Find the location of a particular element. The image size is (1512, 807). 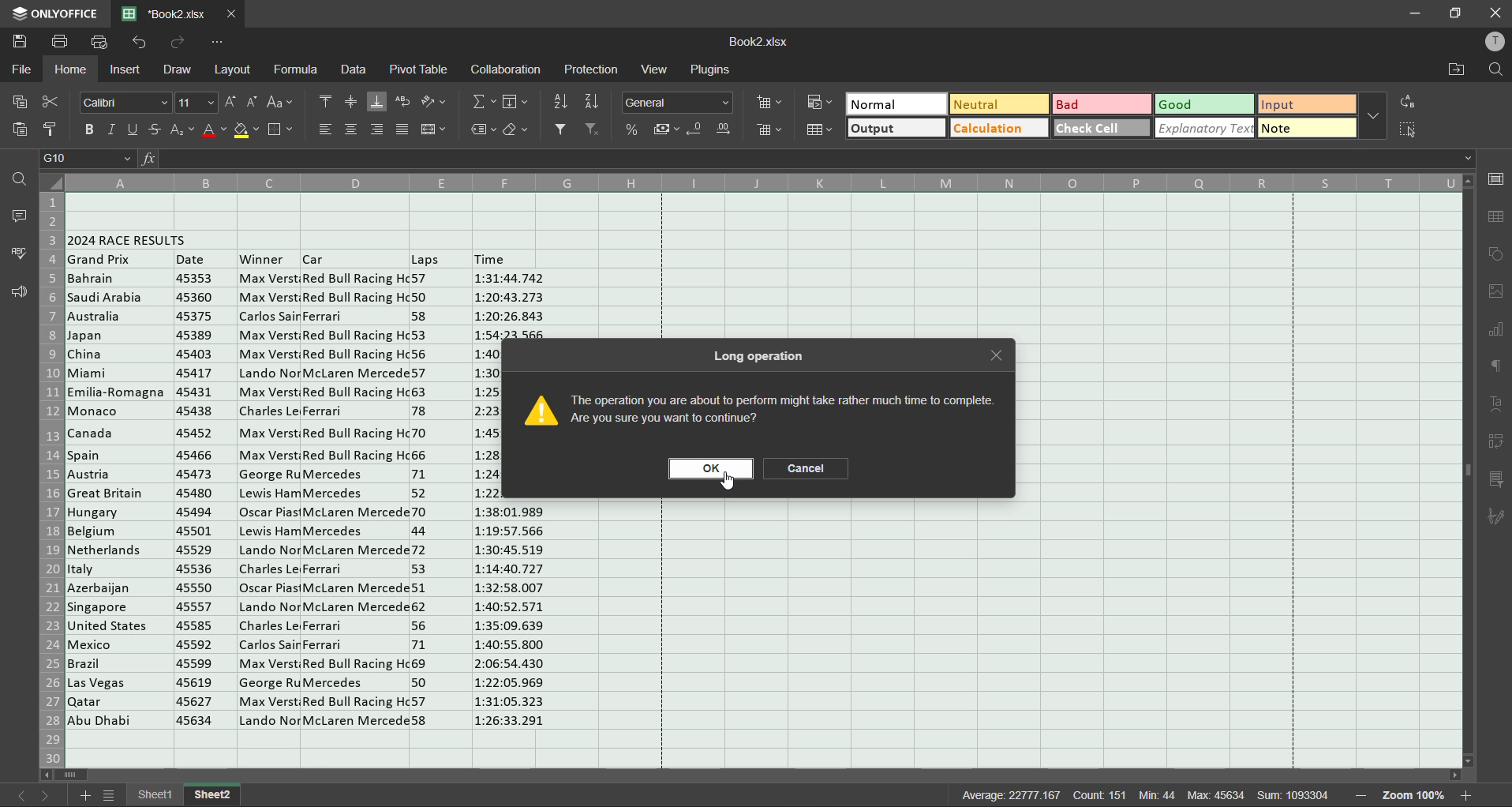

long operation is located at coordinates (757, 358).